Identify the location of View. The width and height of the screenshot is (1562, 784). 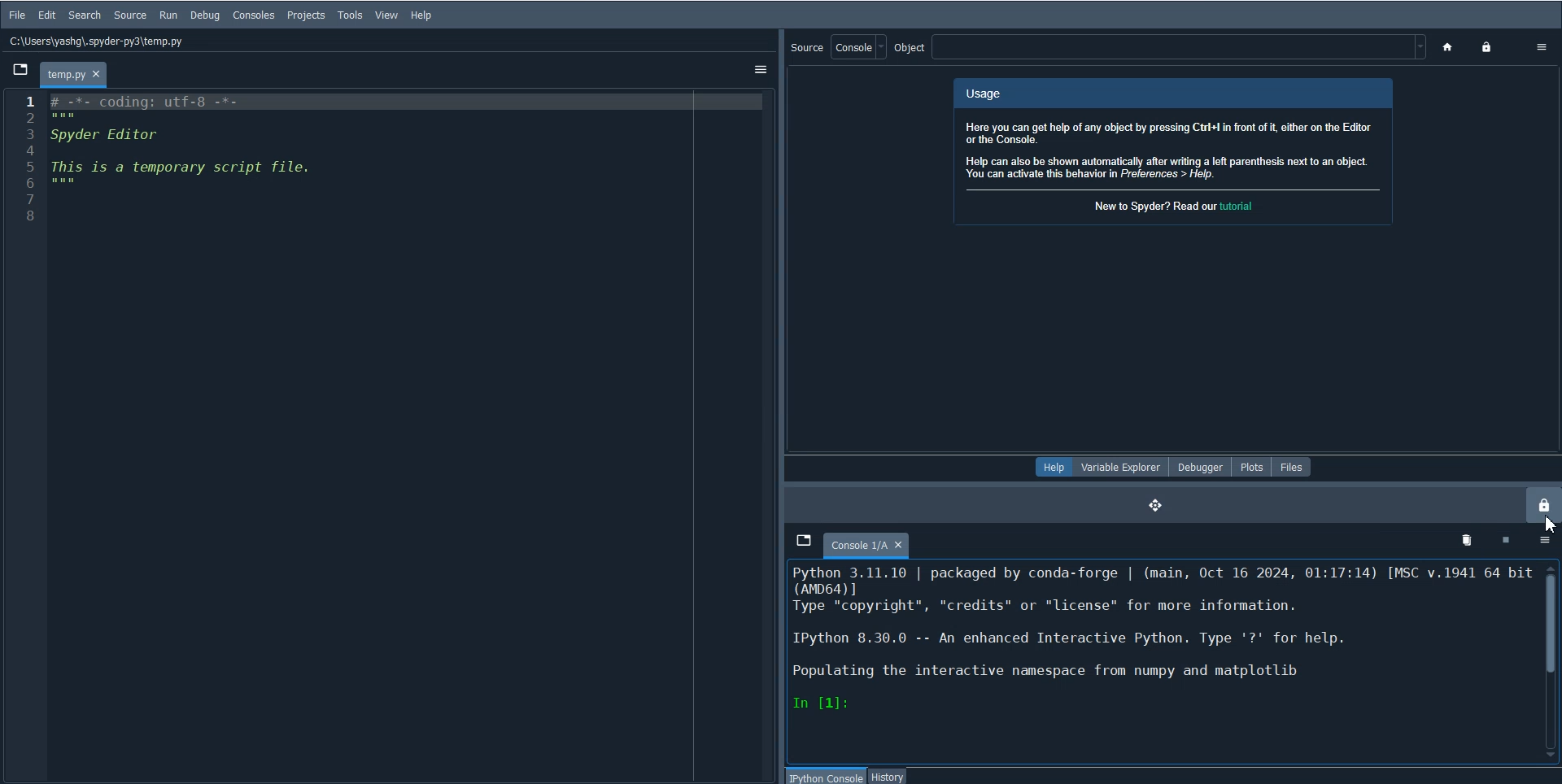
(387, 15).